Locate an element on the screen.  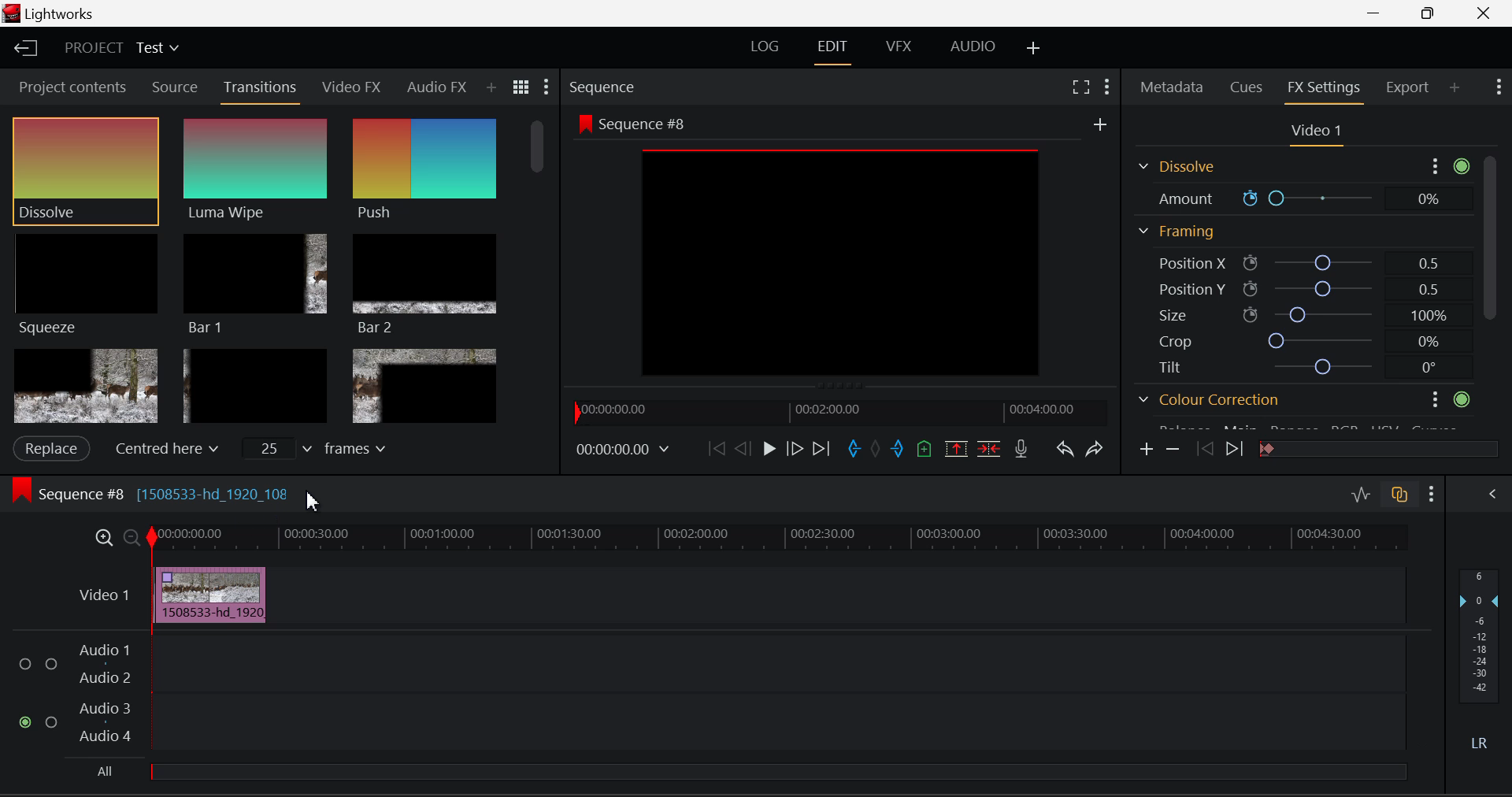
Video FX Open is located at coordinates (353, 91).